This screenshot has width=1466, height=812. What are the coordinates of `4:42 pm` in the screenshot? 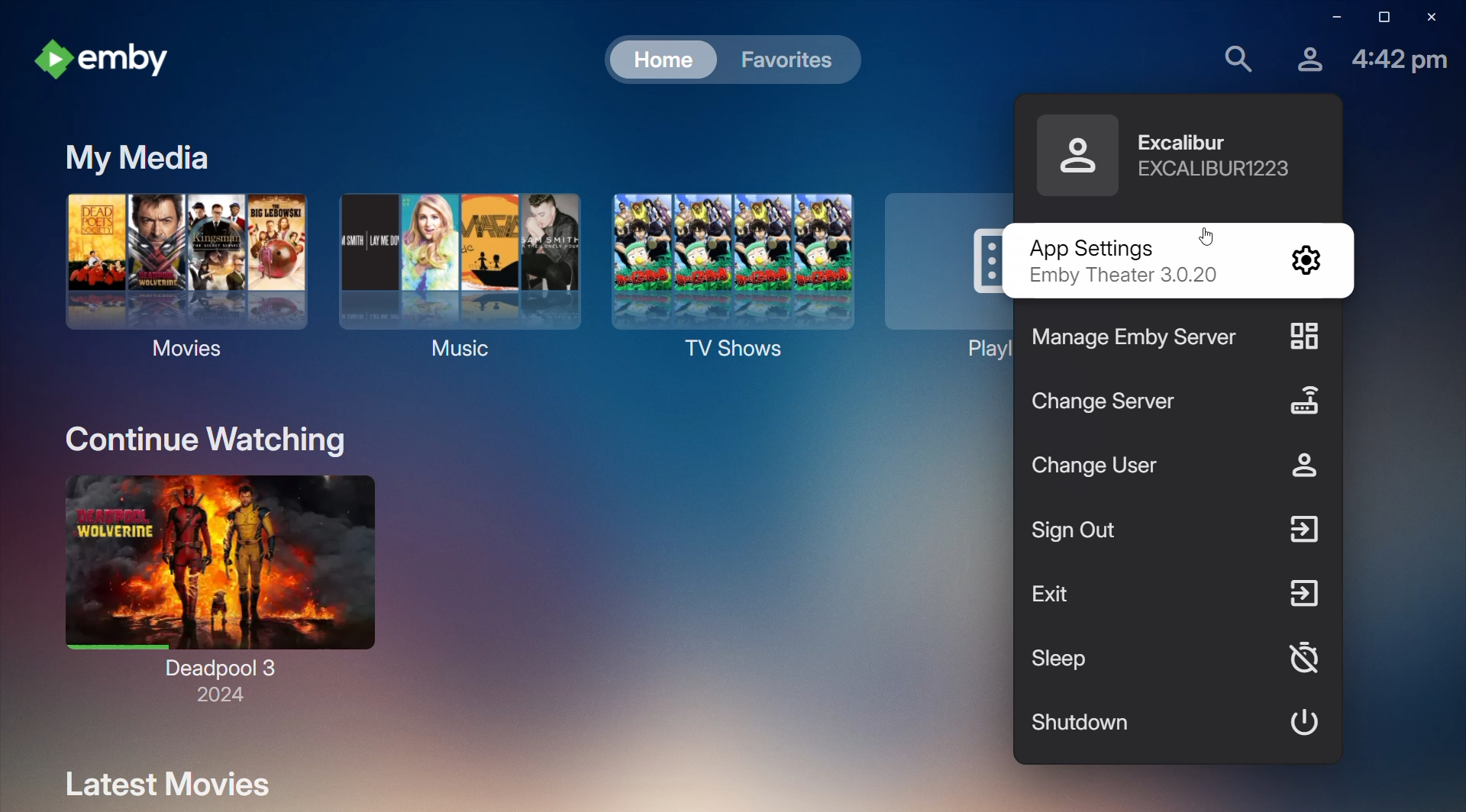 It's located at (1400, 64).